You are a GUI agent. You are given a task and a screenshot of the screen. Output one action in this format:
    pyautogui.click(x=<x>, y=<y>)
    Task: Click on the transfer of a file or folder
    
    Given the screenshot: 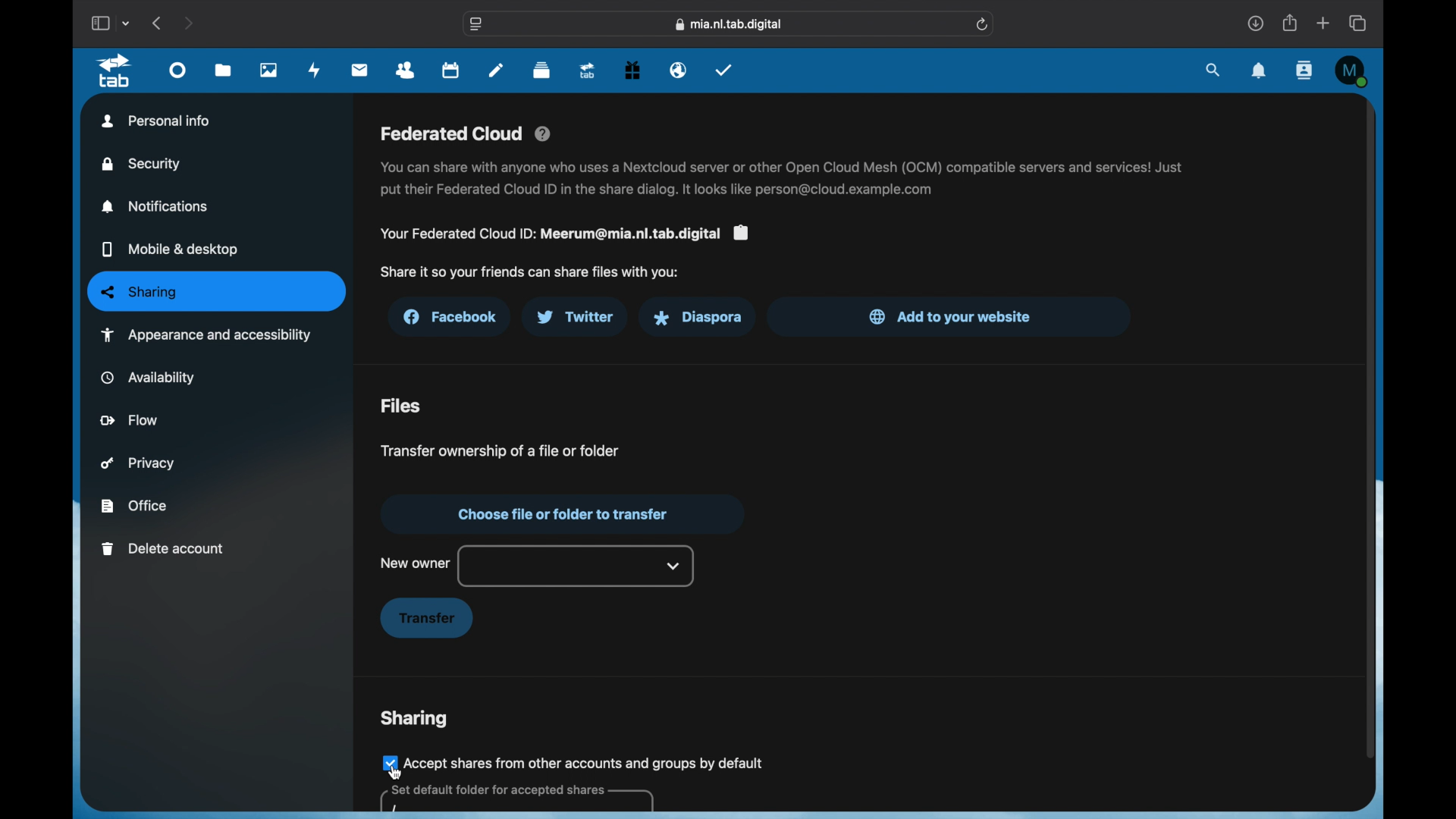 What is the action you would take?
    pyautogui.click(x=497, y=450)
    